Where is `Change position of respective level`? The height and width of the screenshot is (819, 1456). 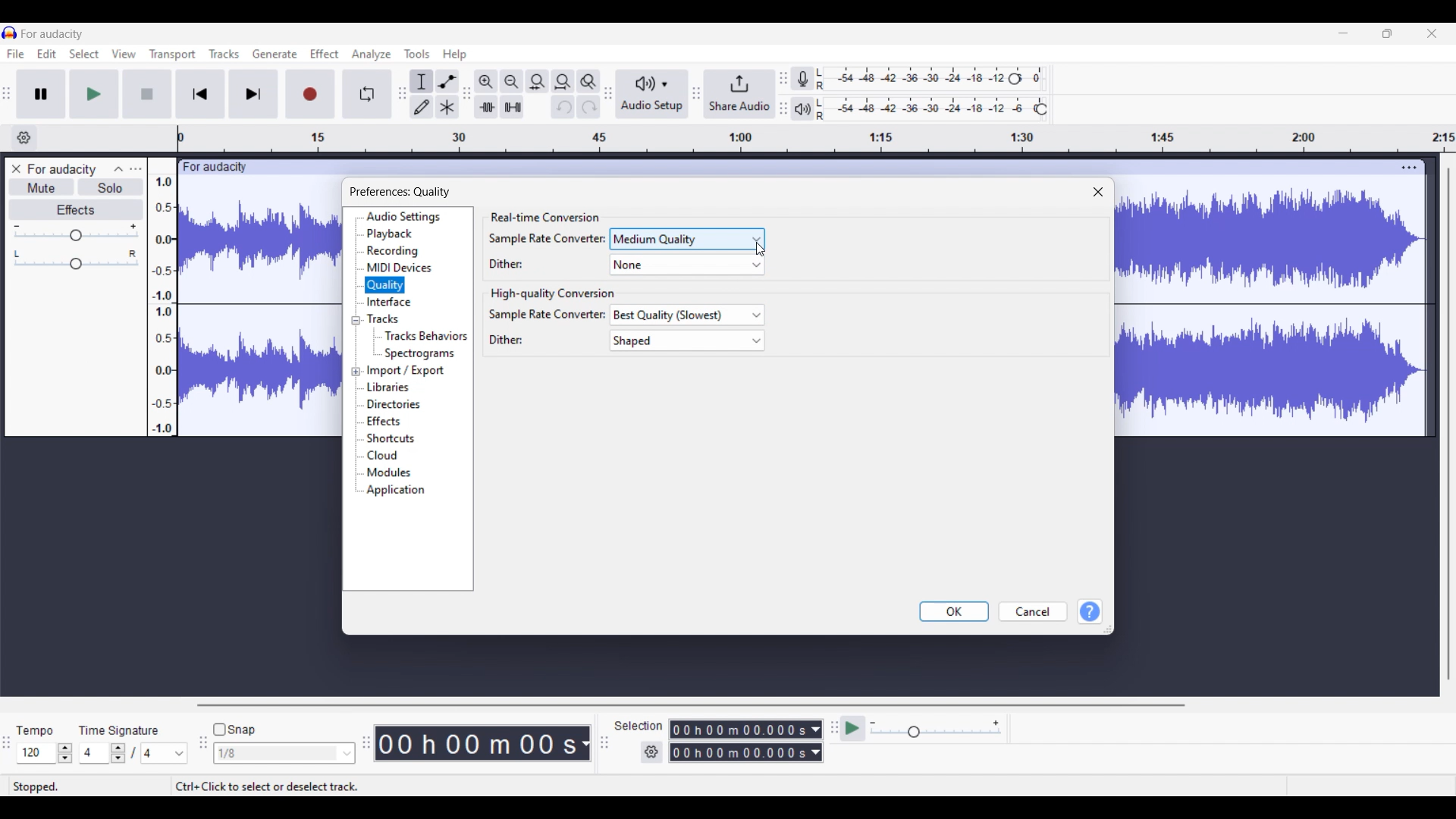
Change position of respective level is located at coordinates (783, 93).